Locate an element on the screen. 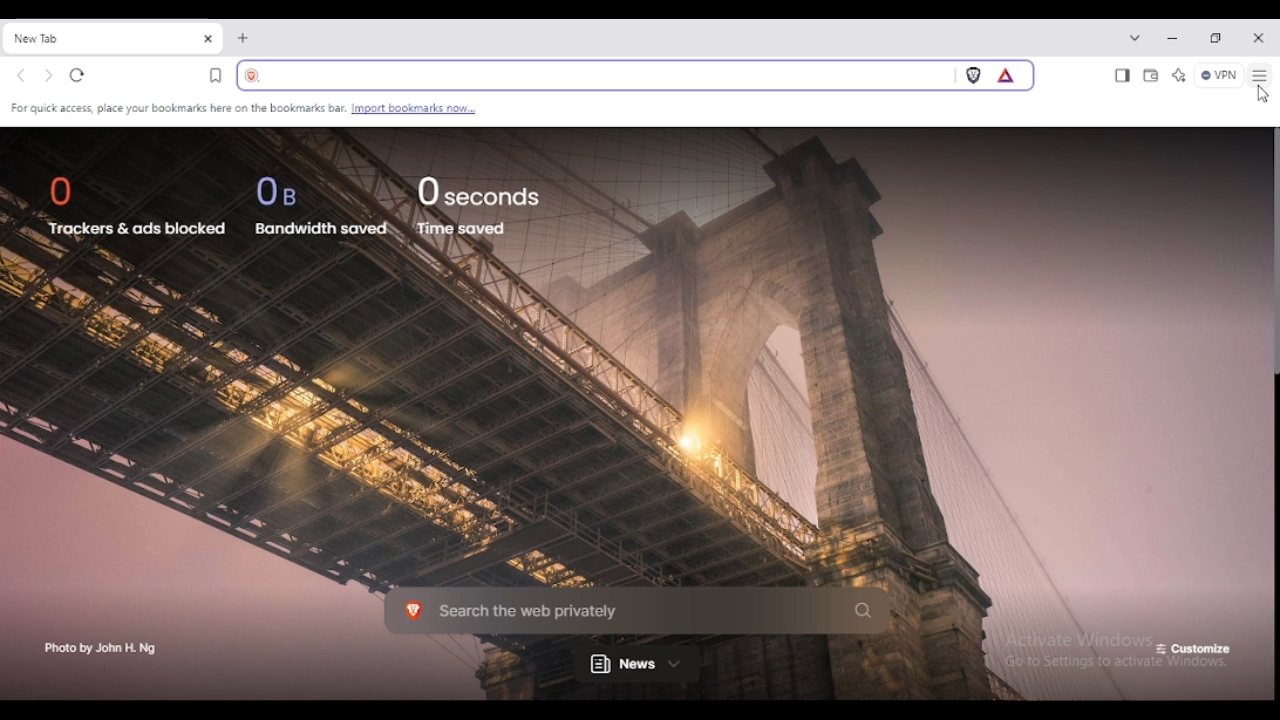 This screenshot has height=720, width=1280. brave rewards panel is located at coordinates (1006, 75).